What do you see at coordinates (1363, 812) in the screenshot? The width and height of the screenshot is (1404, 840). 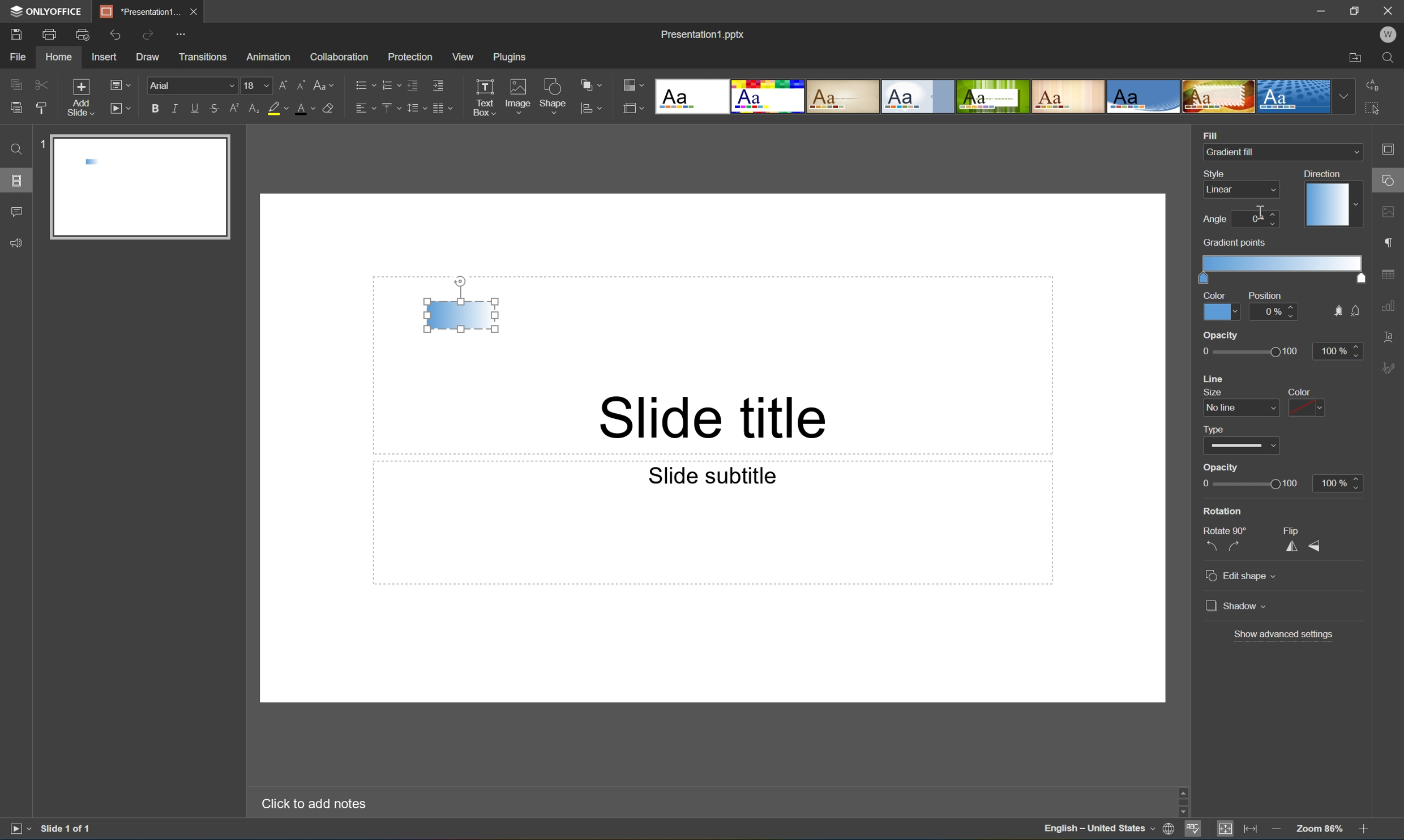 I see `Scroll Down` at bounding box center [1363, 812].